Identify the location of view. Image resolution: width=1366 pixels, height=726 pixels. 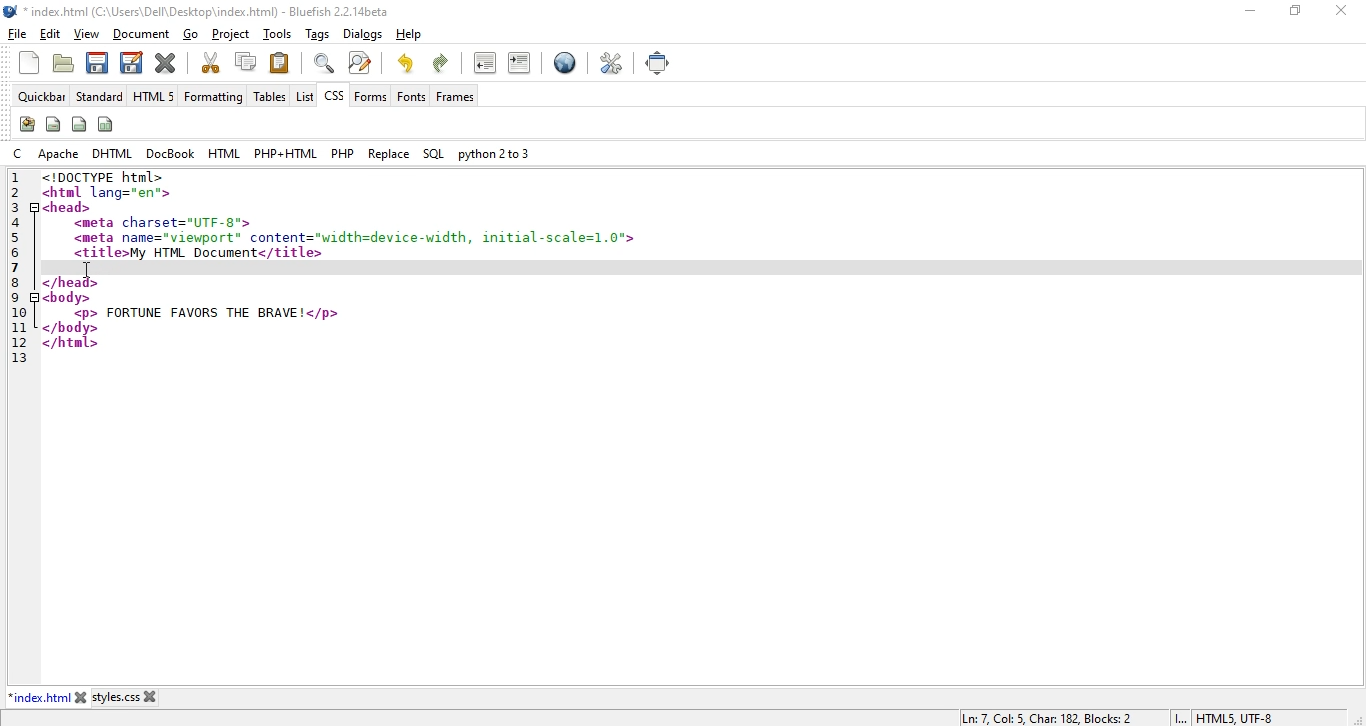
(88, 34).